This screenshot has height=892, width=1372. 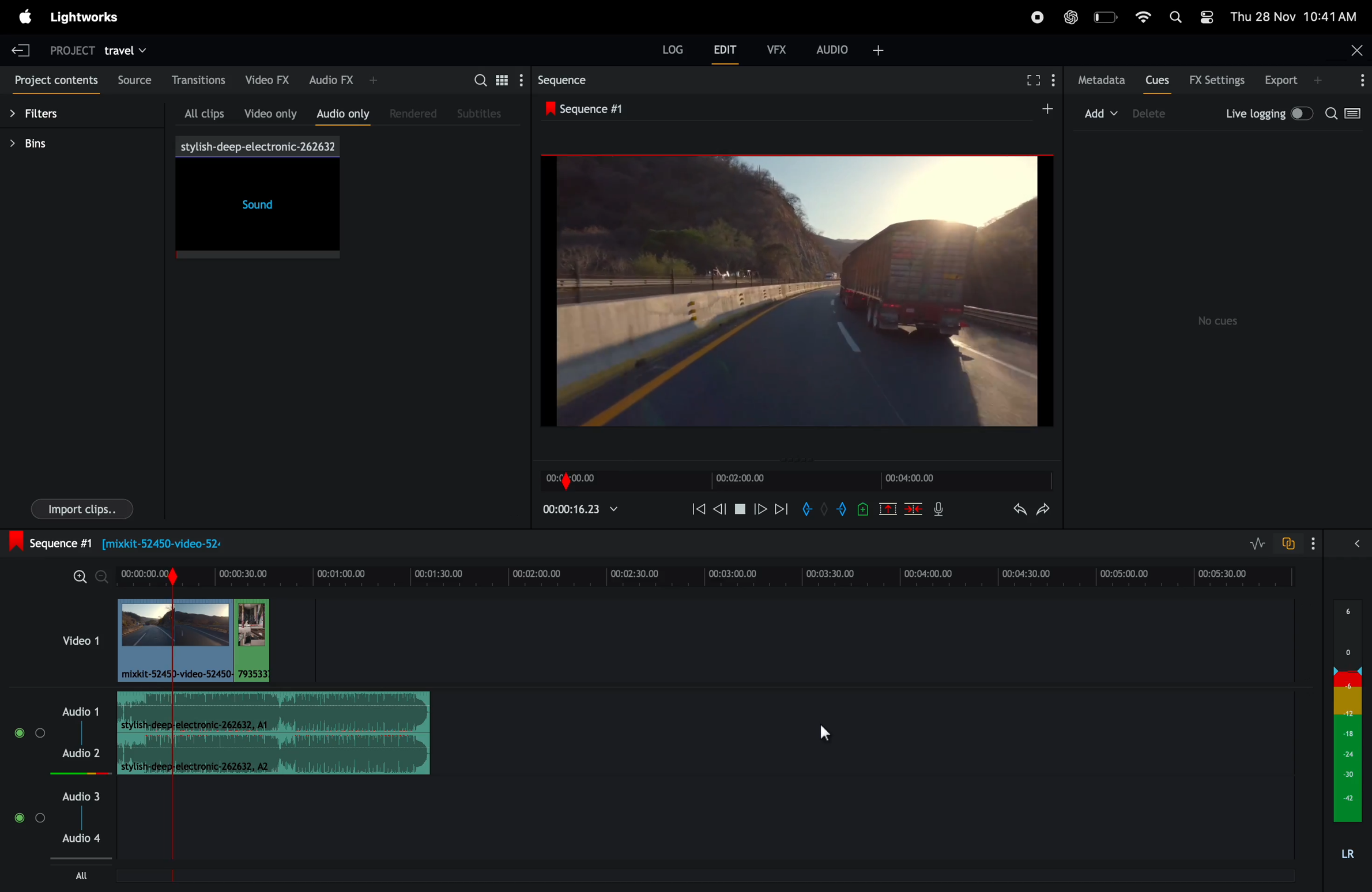 I want to click on add out mark, so click(x=839, y=511).